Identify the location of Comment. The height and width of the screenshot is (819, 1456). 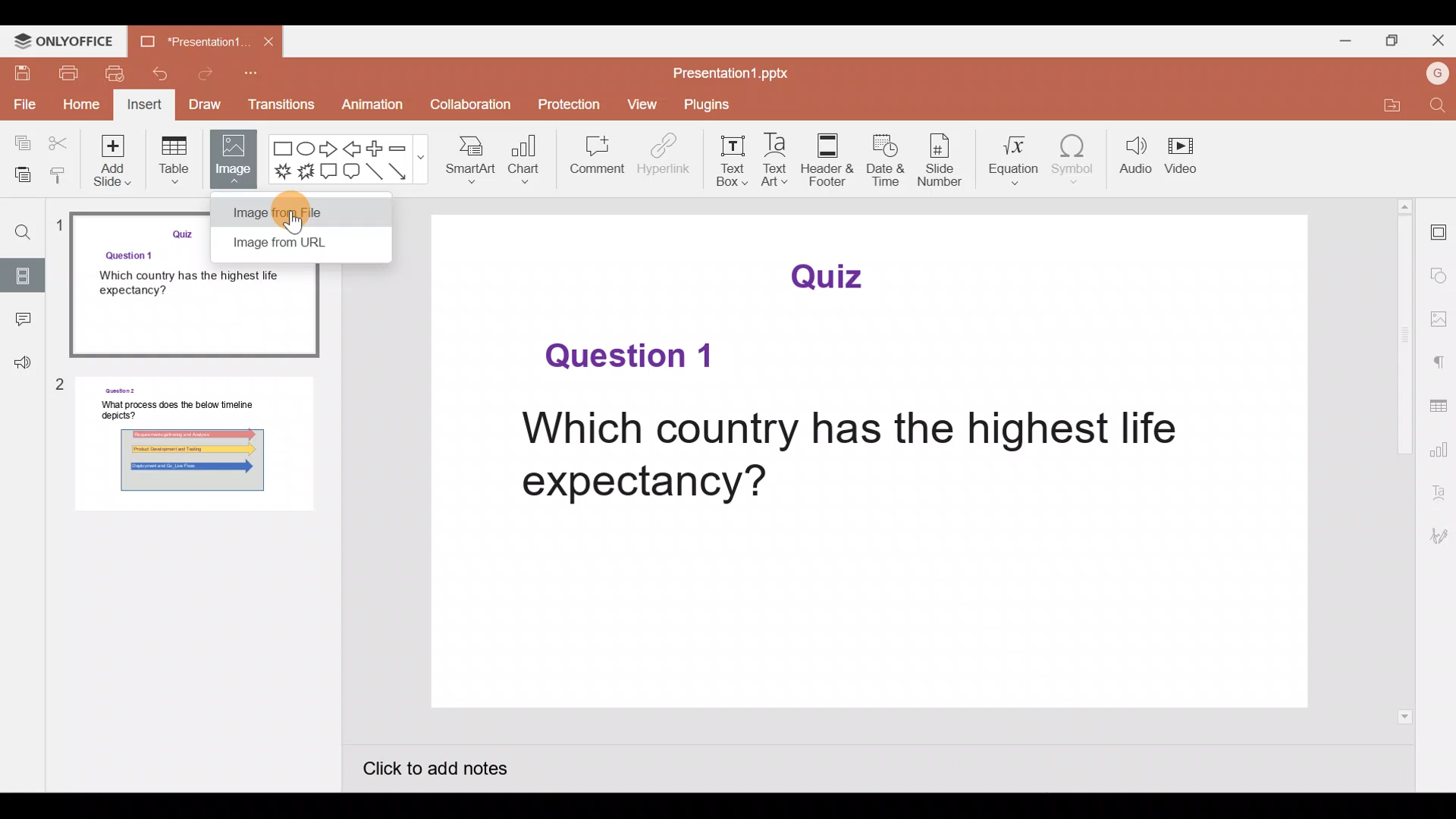
(592, 158).